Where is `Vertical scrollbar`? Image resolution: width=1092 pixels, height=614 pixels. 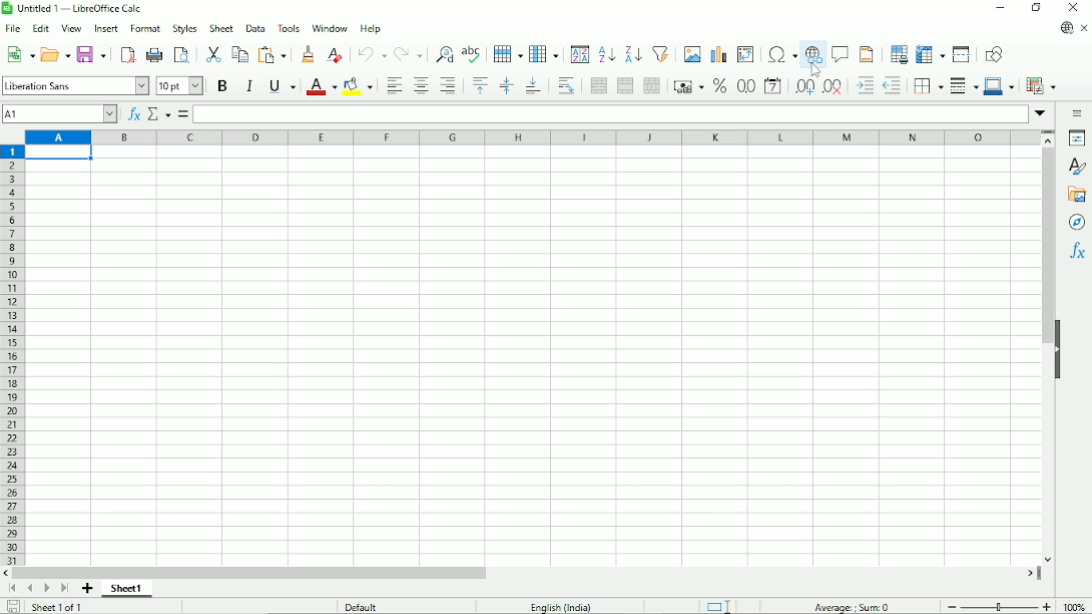 Vertical scrollbar is located at coordinates (1044, 348).